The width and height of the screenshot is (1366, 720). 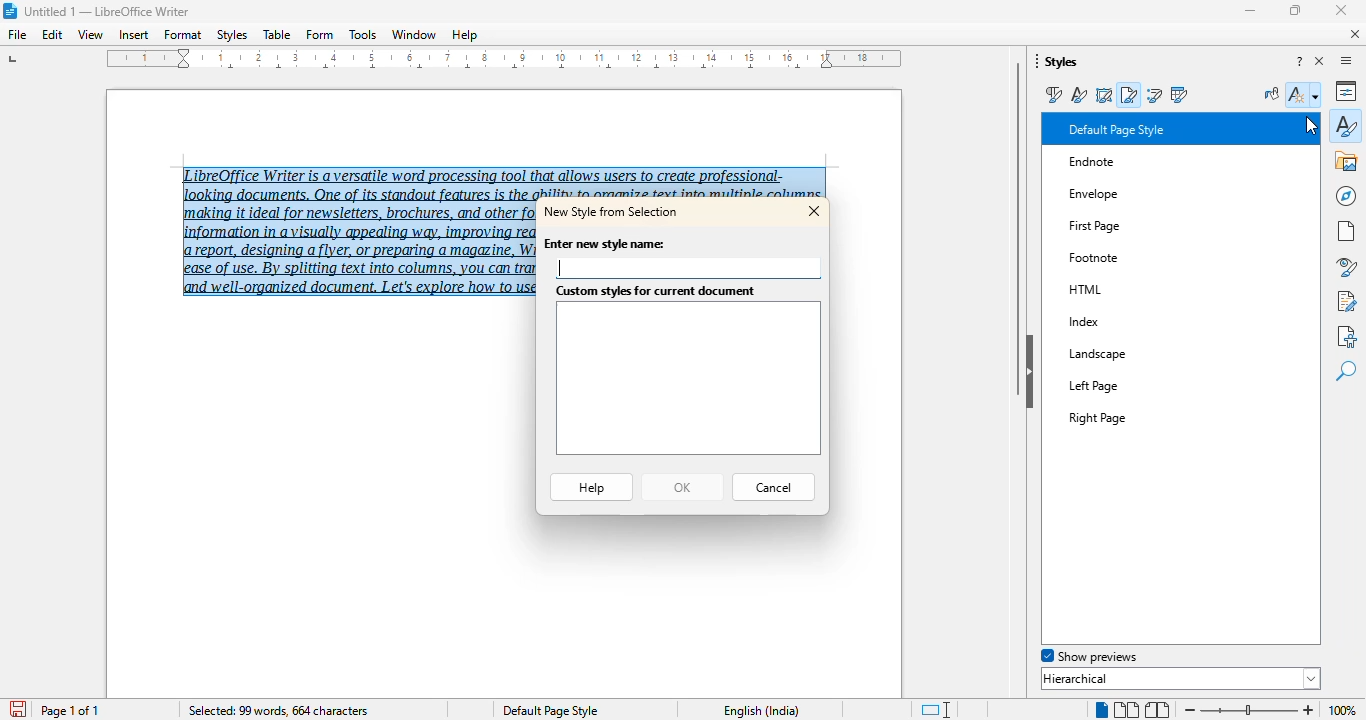 What do you see at coordinates (12, 10) in the screenshot?
I see `LibreOffice logo` at bounding box center [12, 10].